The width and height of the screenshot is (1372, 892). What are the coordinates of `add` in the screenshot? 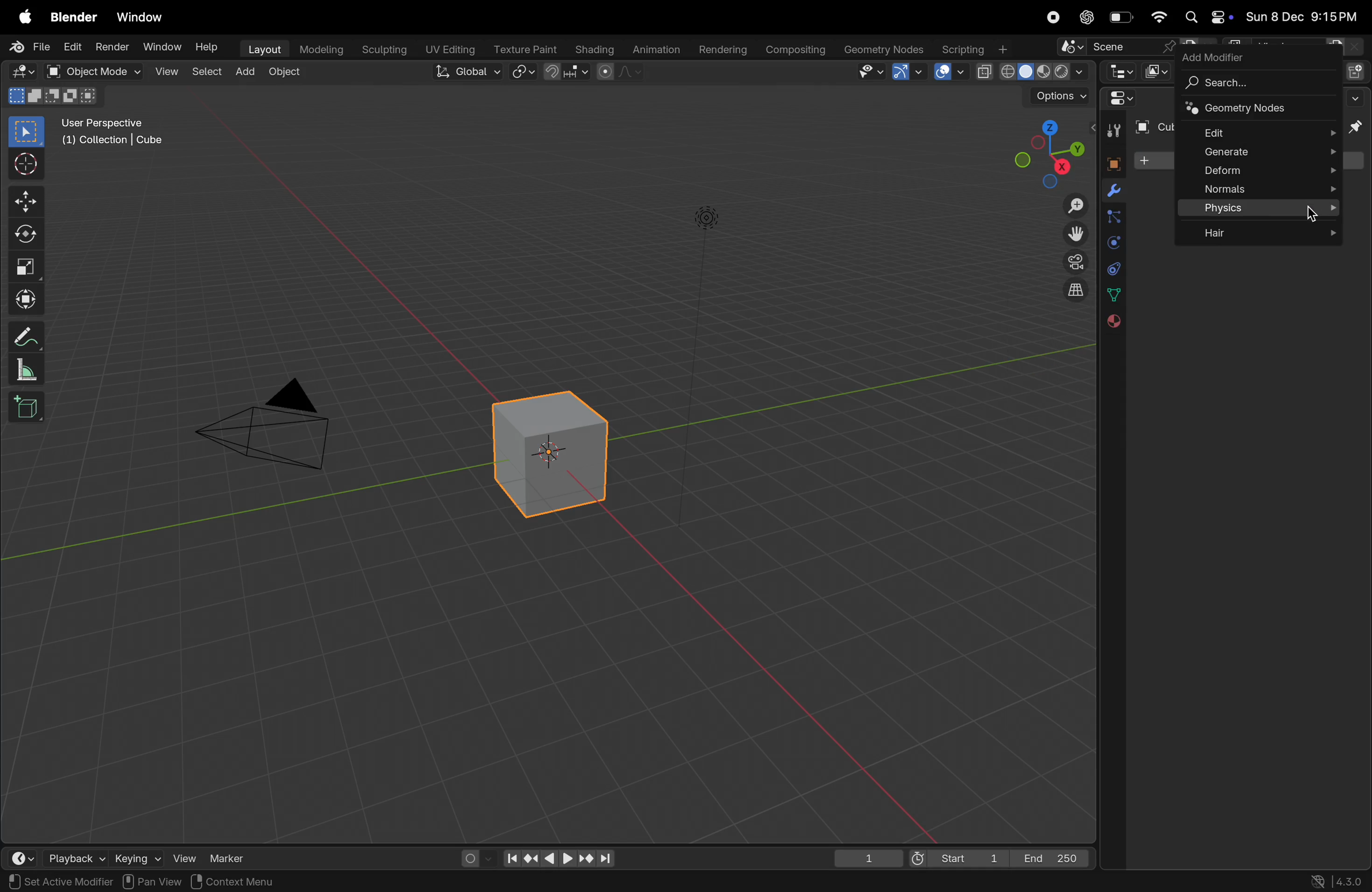 It's located at (249, 72).